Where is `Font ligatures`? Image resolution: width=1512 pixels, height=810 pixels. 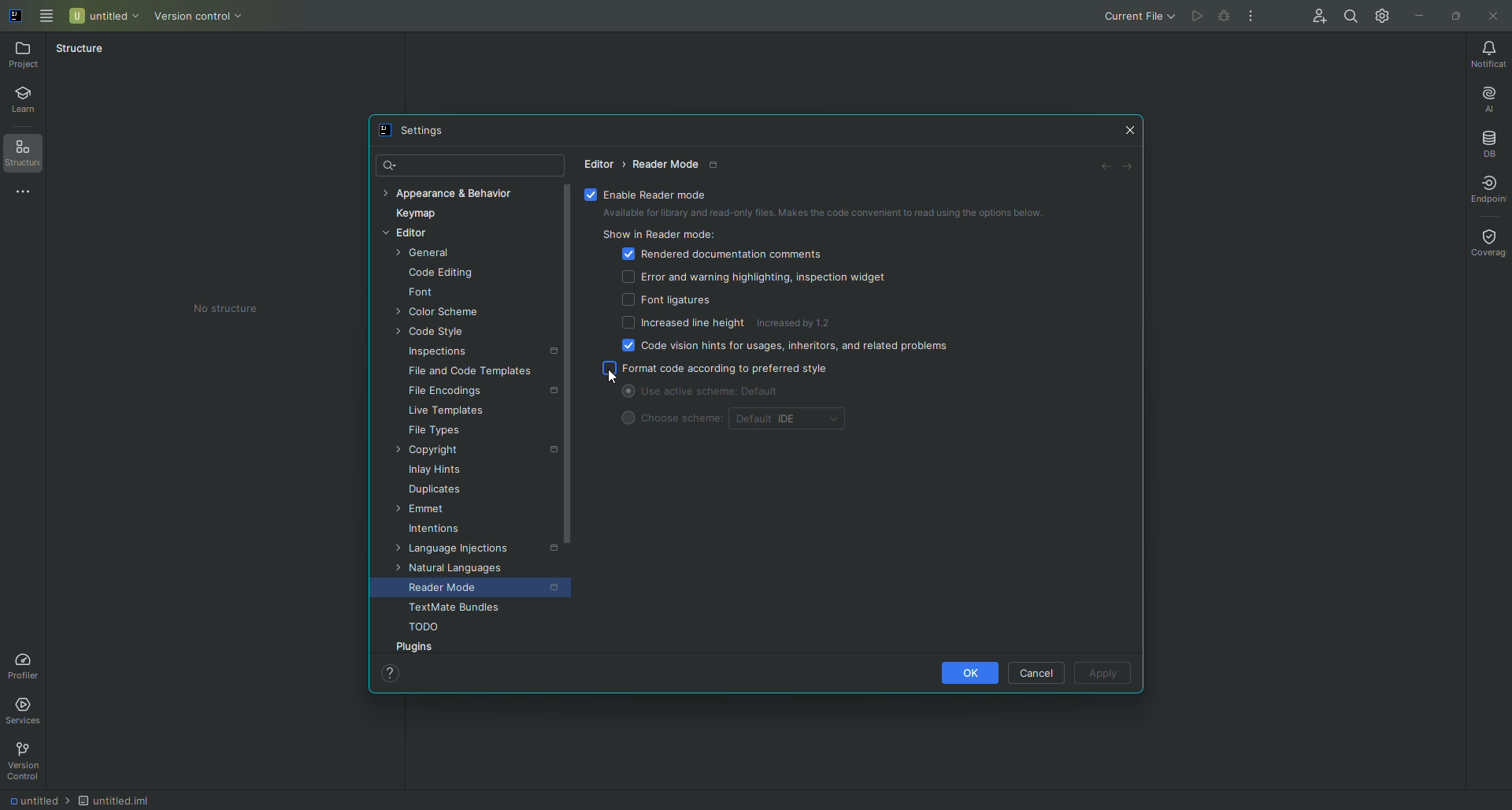 Font ligatures is located at coordinates (665, 301).